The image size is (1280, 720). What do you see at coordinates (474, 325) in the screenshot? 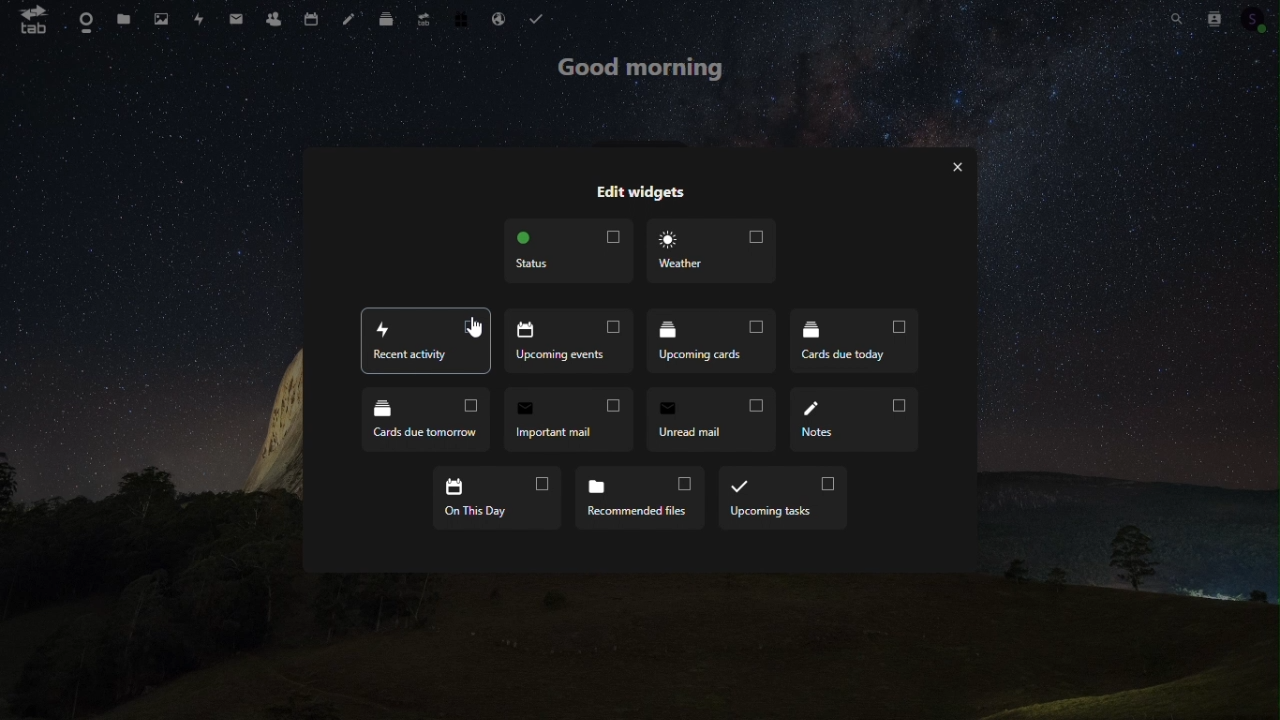
I see `cursor` at bounding box center [474, 325].